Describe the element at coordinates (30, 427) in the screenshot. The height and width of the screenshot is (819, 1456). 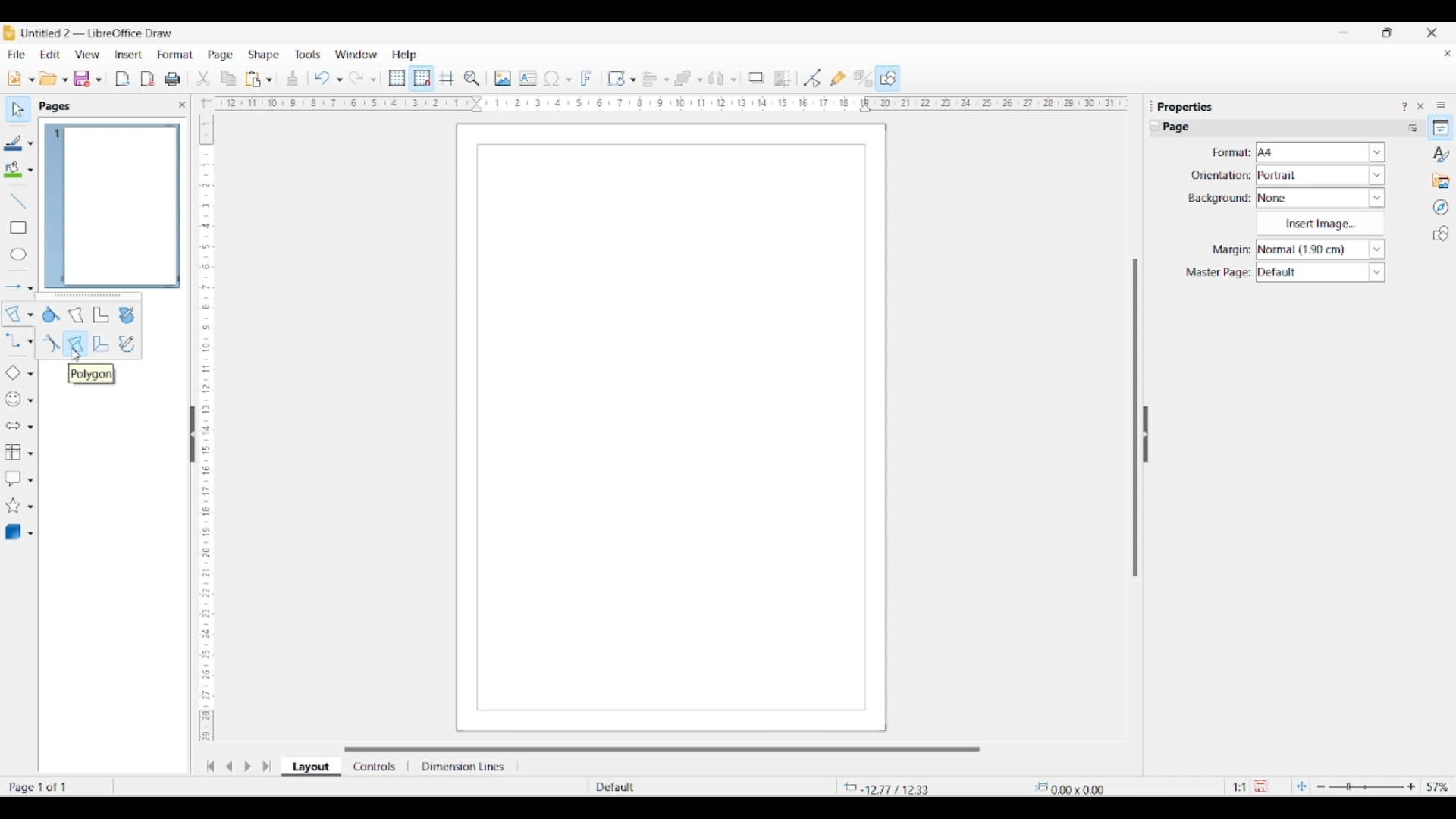
I see `Block arrow options` at that location.